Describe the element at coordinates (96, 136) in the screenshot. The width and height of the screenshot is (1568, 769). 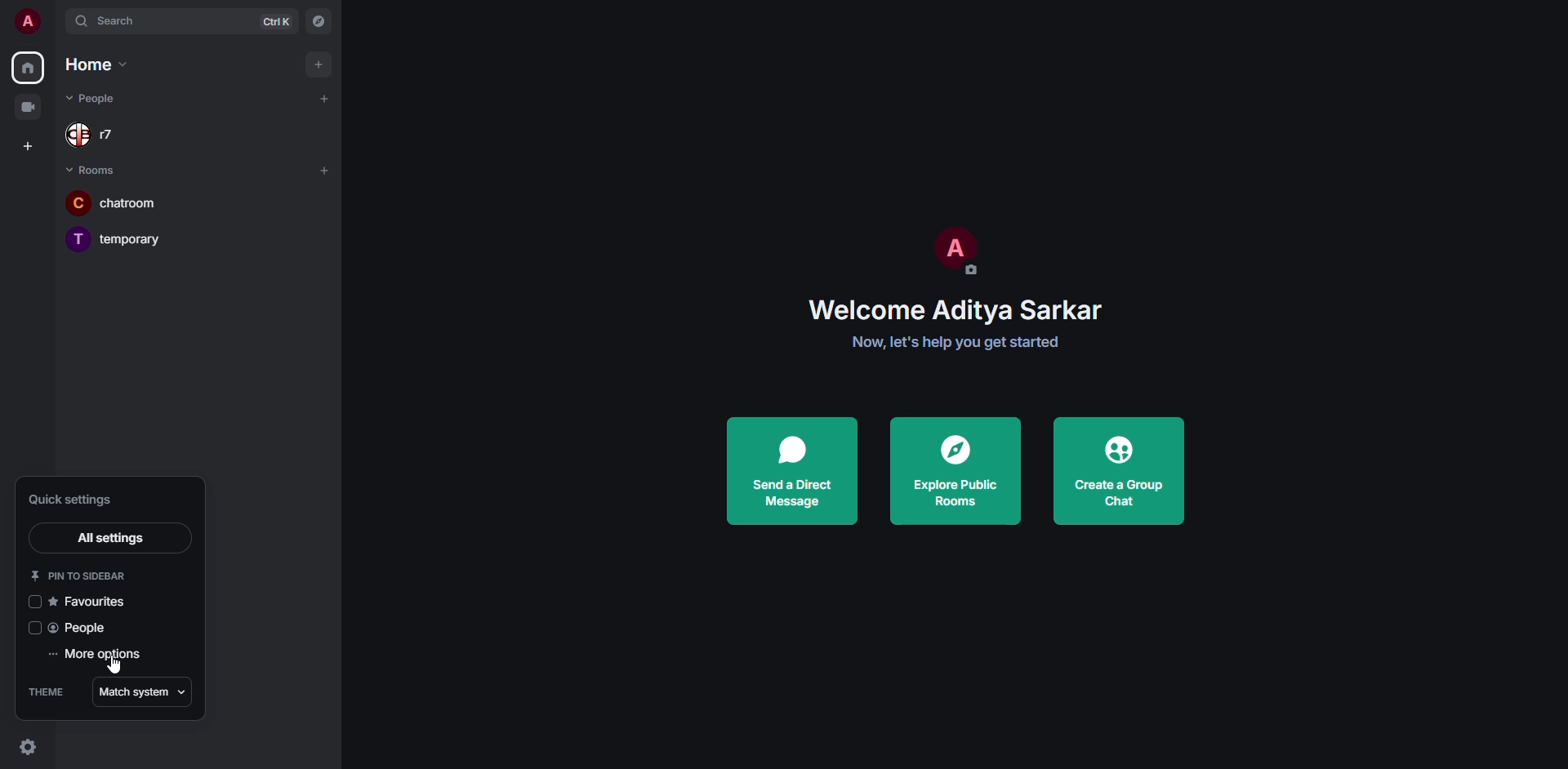
I see `people` at that location.